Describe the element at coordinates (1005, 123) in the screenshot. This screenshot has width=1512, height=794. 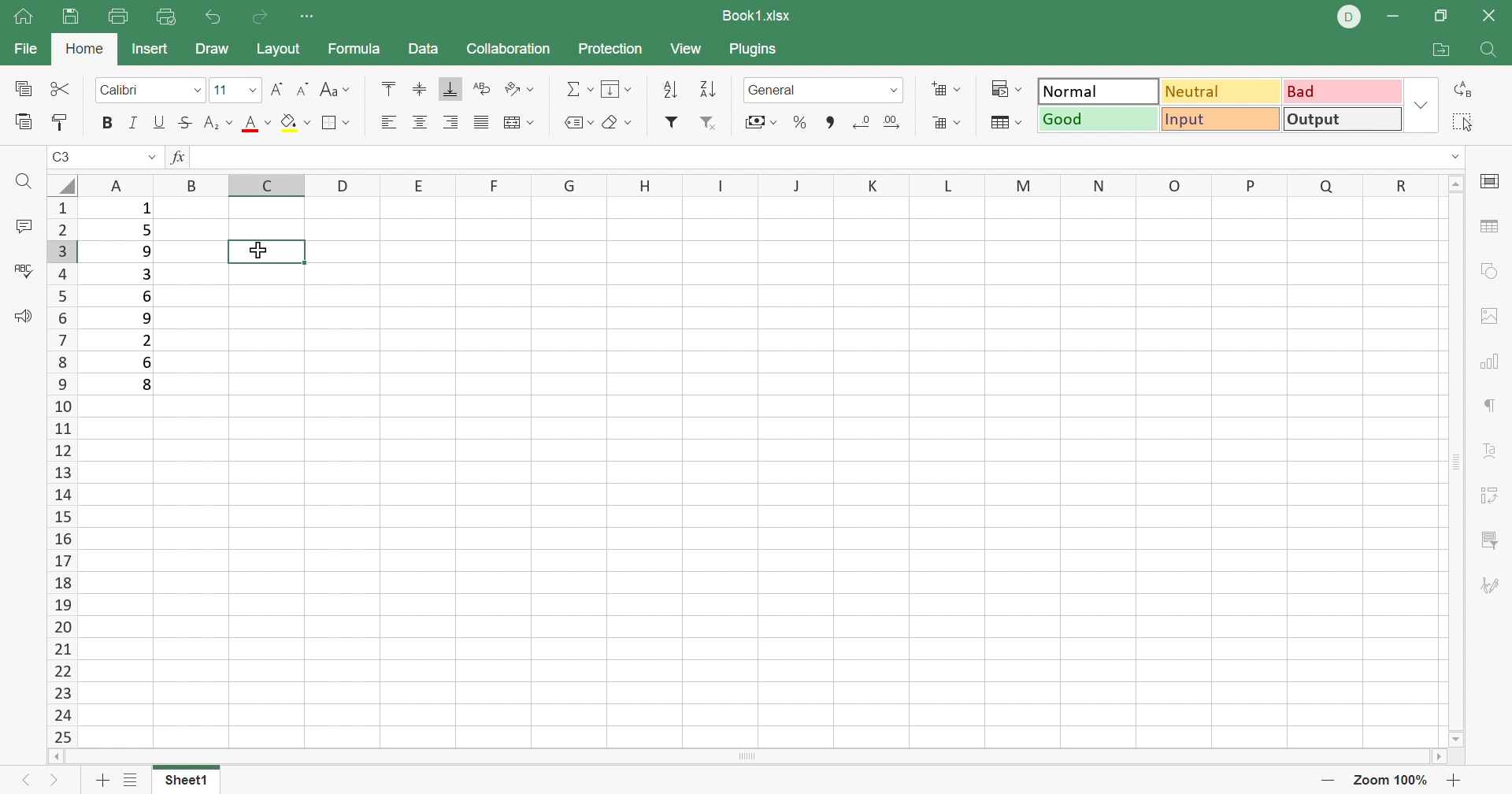
I see `Format table as template` at that location.